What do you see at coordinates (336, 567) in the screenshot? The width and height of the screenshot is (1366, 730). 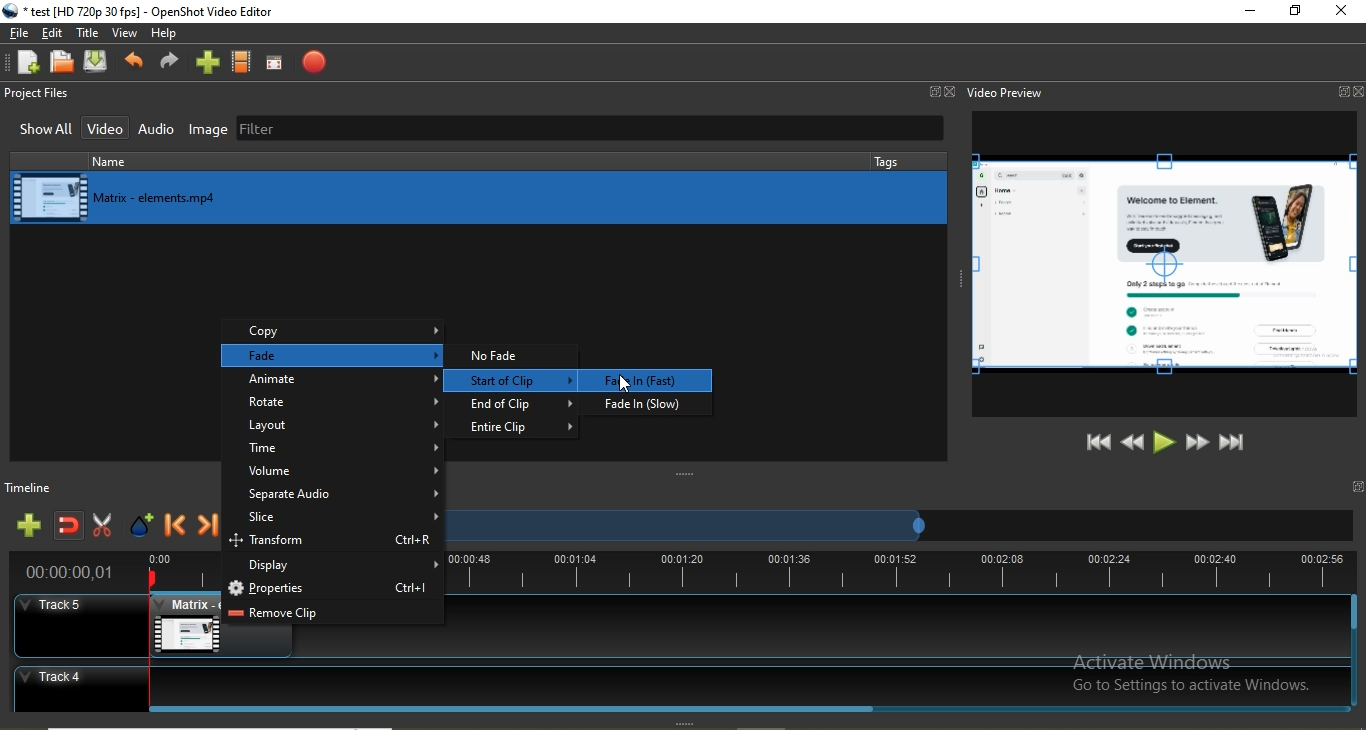 I see `display` at bounding box center [336, 567].